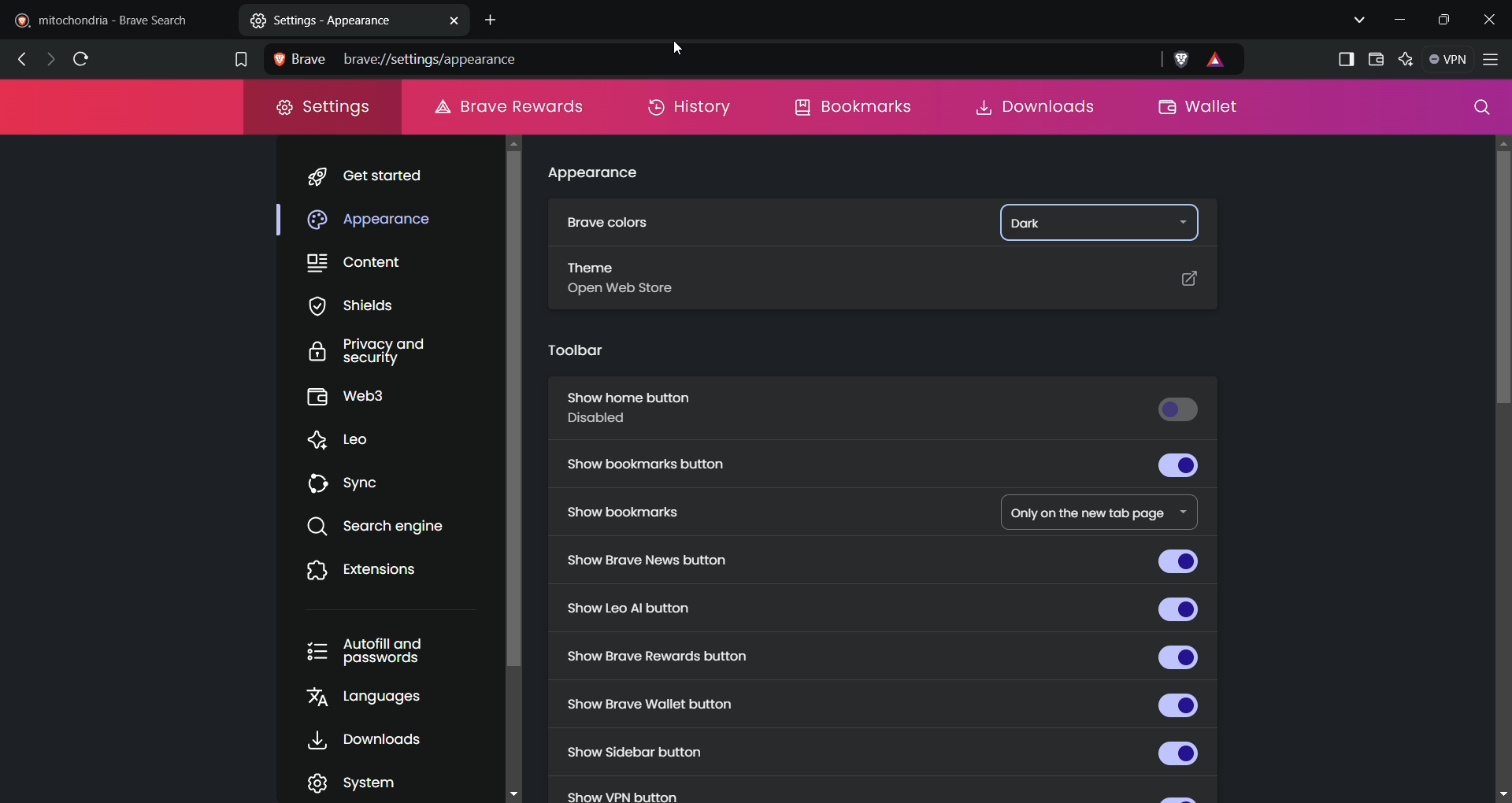 This screenshot has height=803, width=1512. What do you see at coordinates (1493, 16) in the screenshot?
I see `close` at bounding box center [1493, 16].